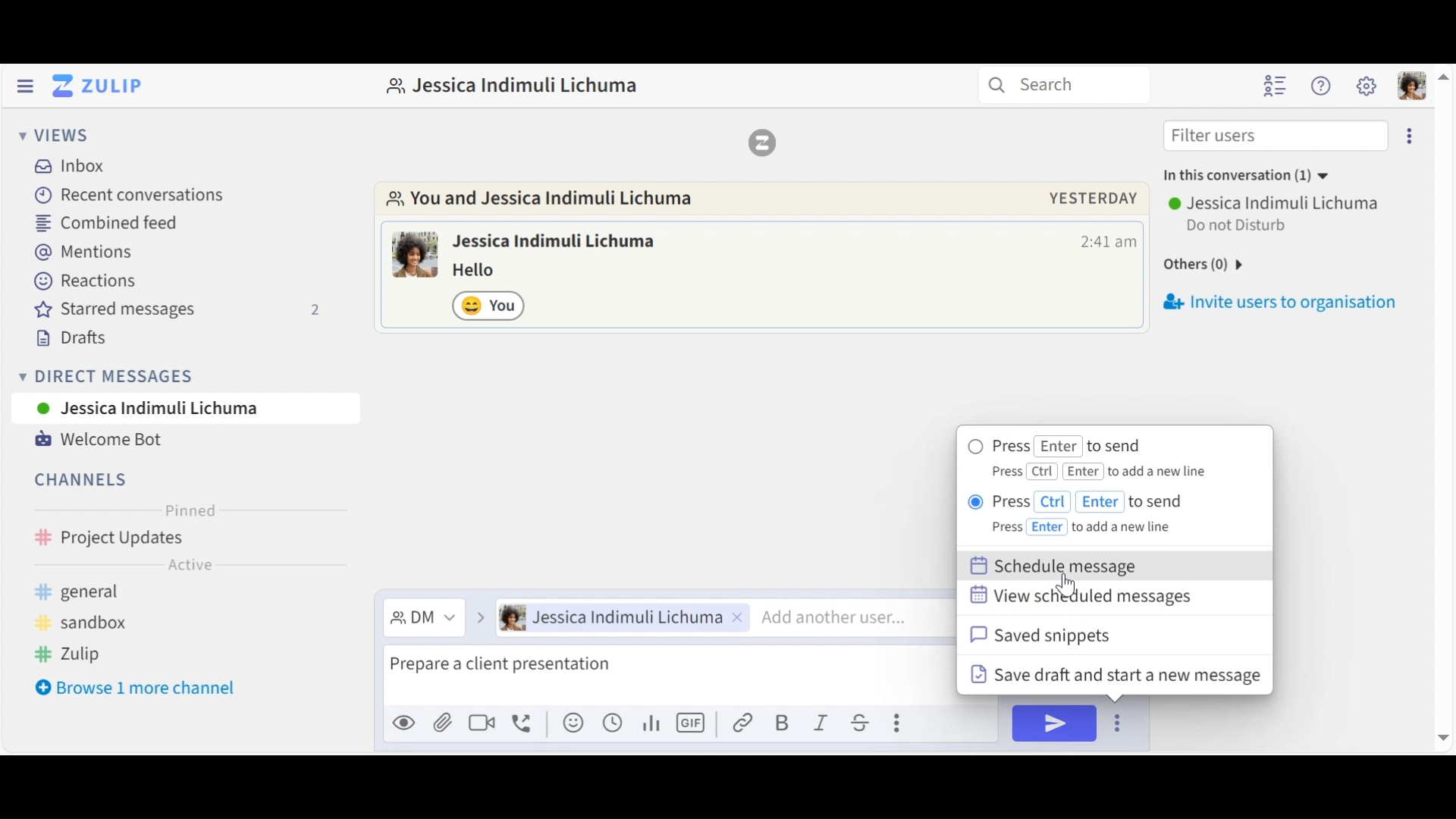  I want to click on sandbox, so click(99, 623).